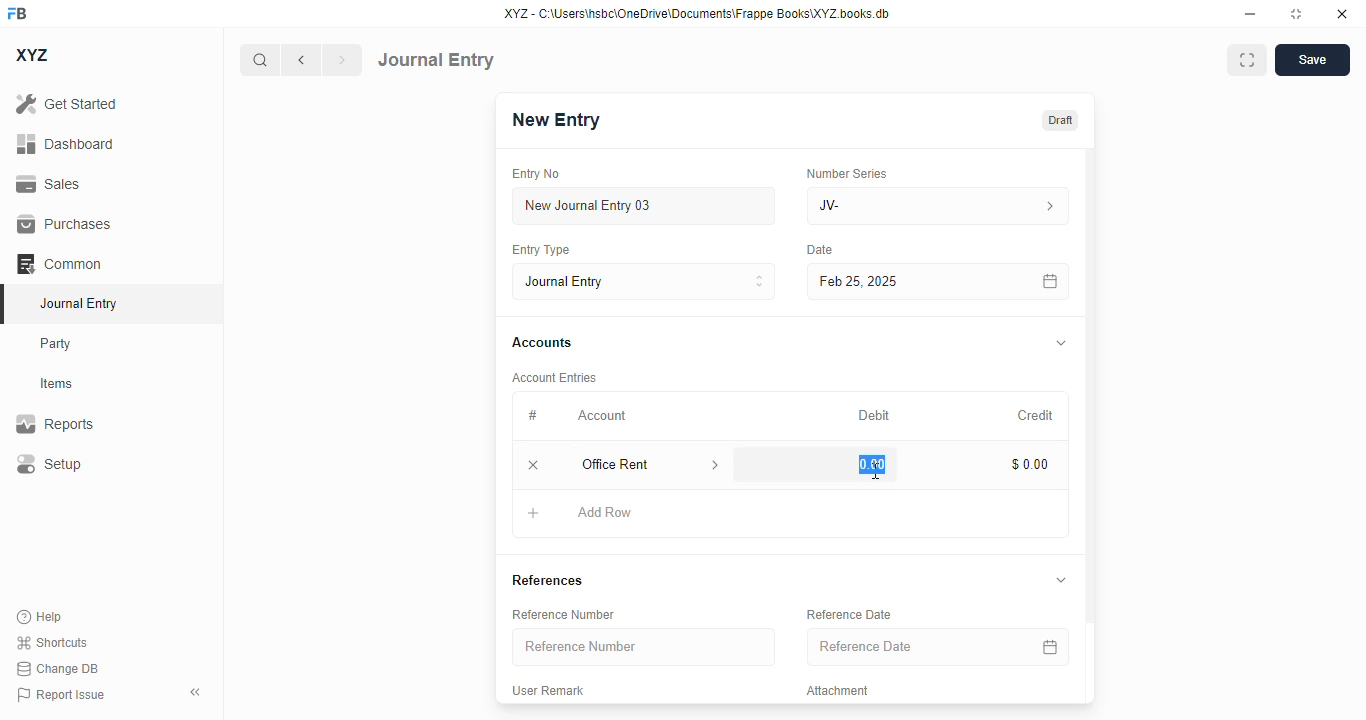 The image size is (1366, 720). Describe the element at coordinates (554, 377) in the screenshot. I see `account entries` at that location.